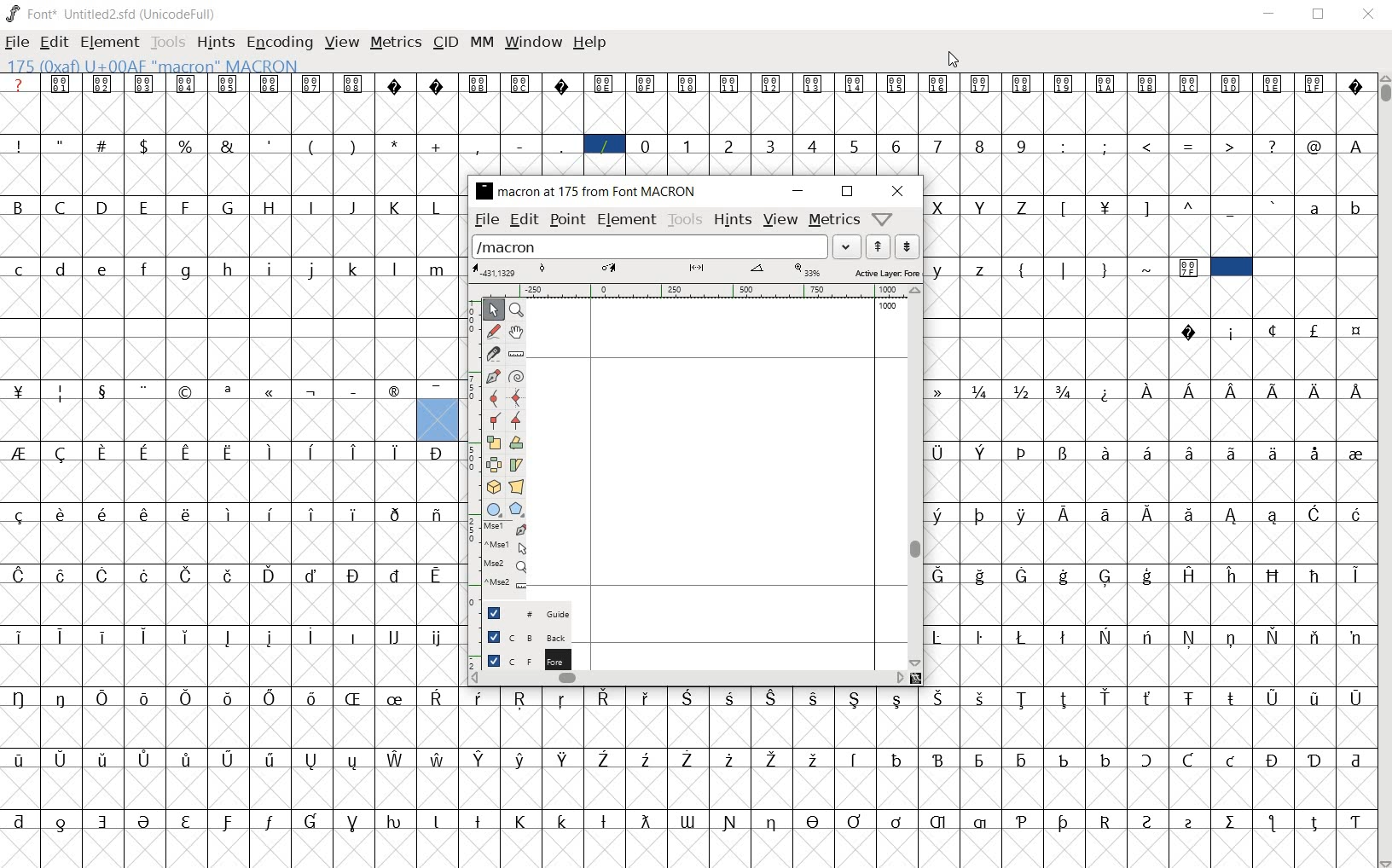 The width and height of the screenshot is (1392, 868). Describe the element at coordinates (229, 514) in the screenshot. I see `Symbol` at that location.